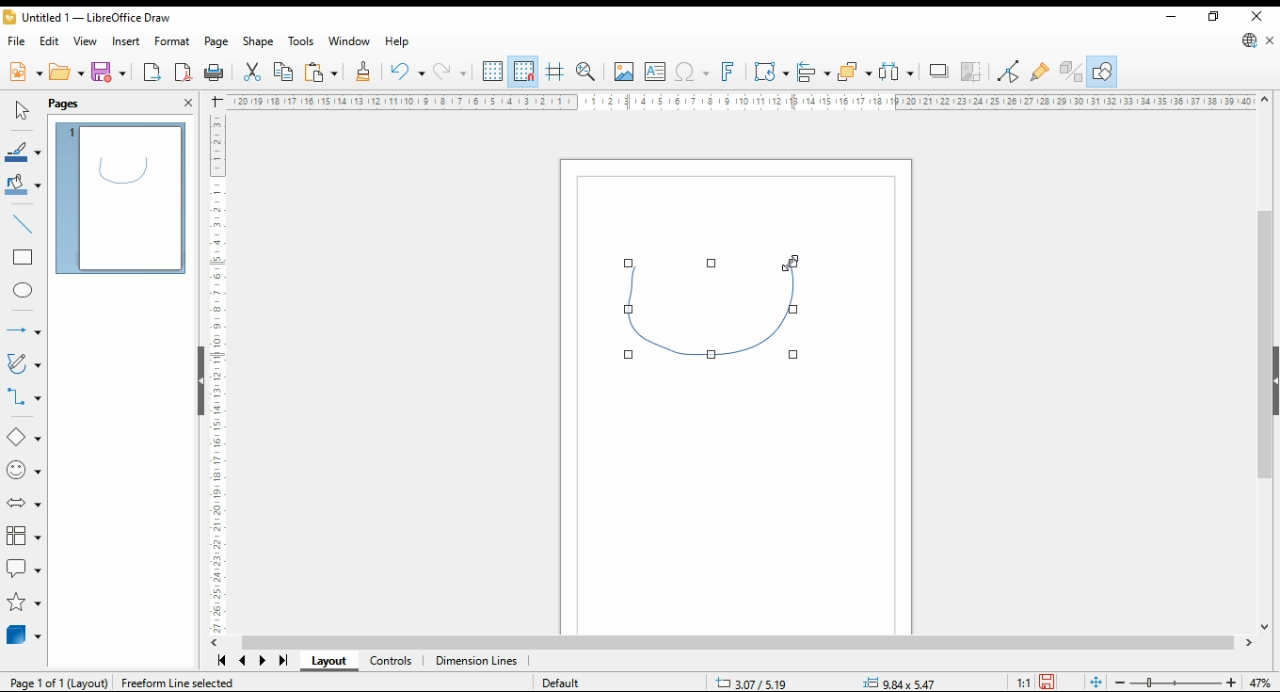 This screenshot has height=692, width=1280. I want to click on icon and file name, so click(87, 16).